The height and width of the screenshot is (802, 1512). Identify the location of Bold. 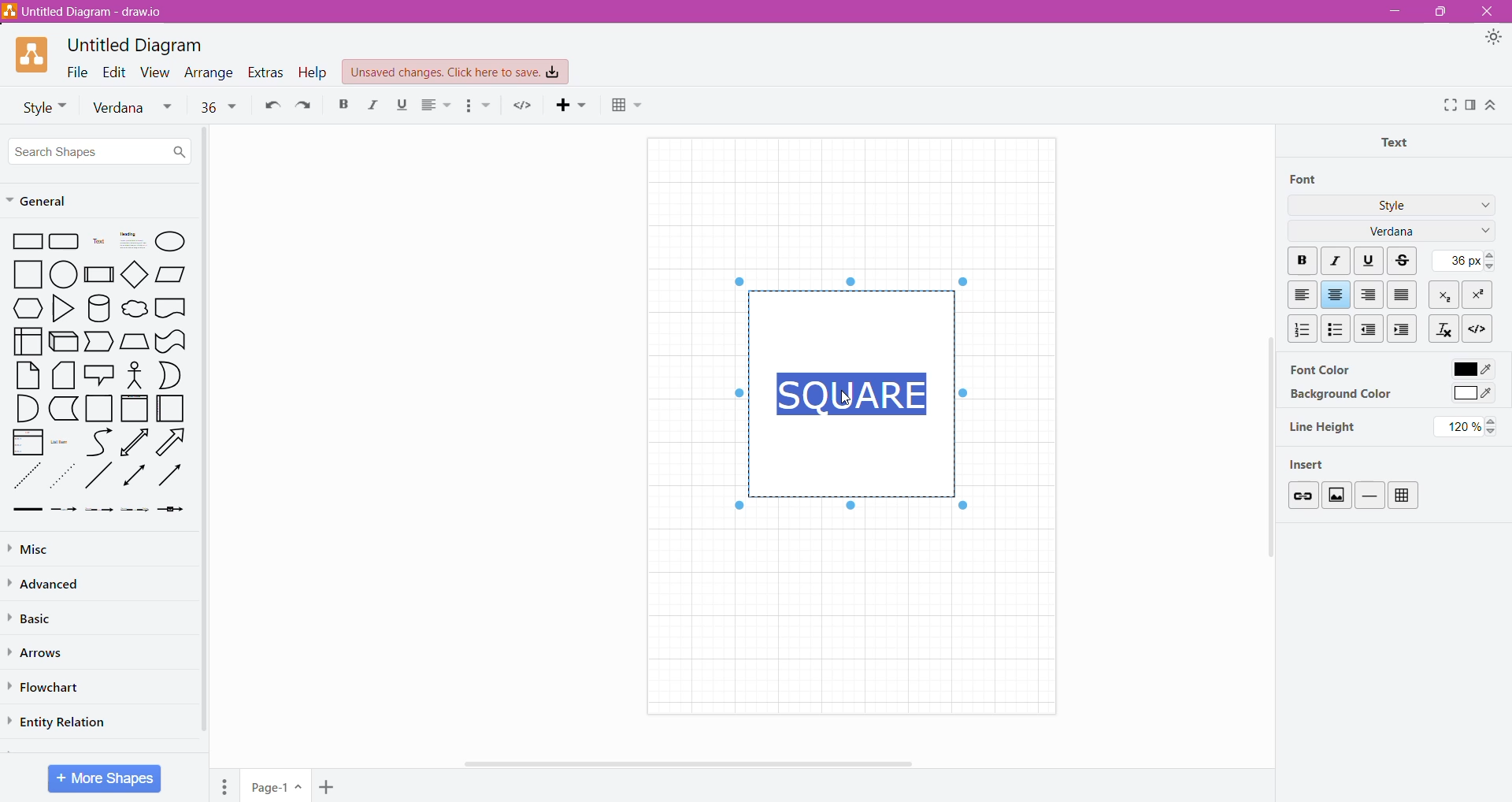
(1302, 262).